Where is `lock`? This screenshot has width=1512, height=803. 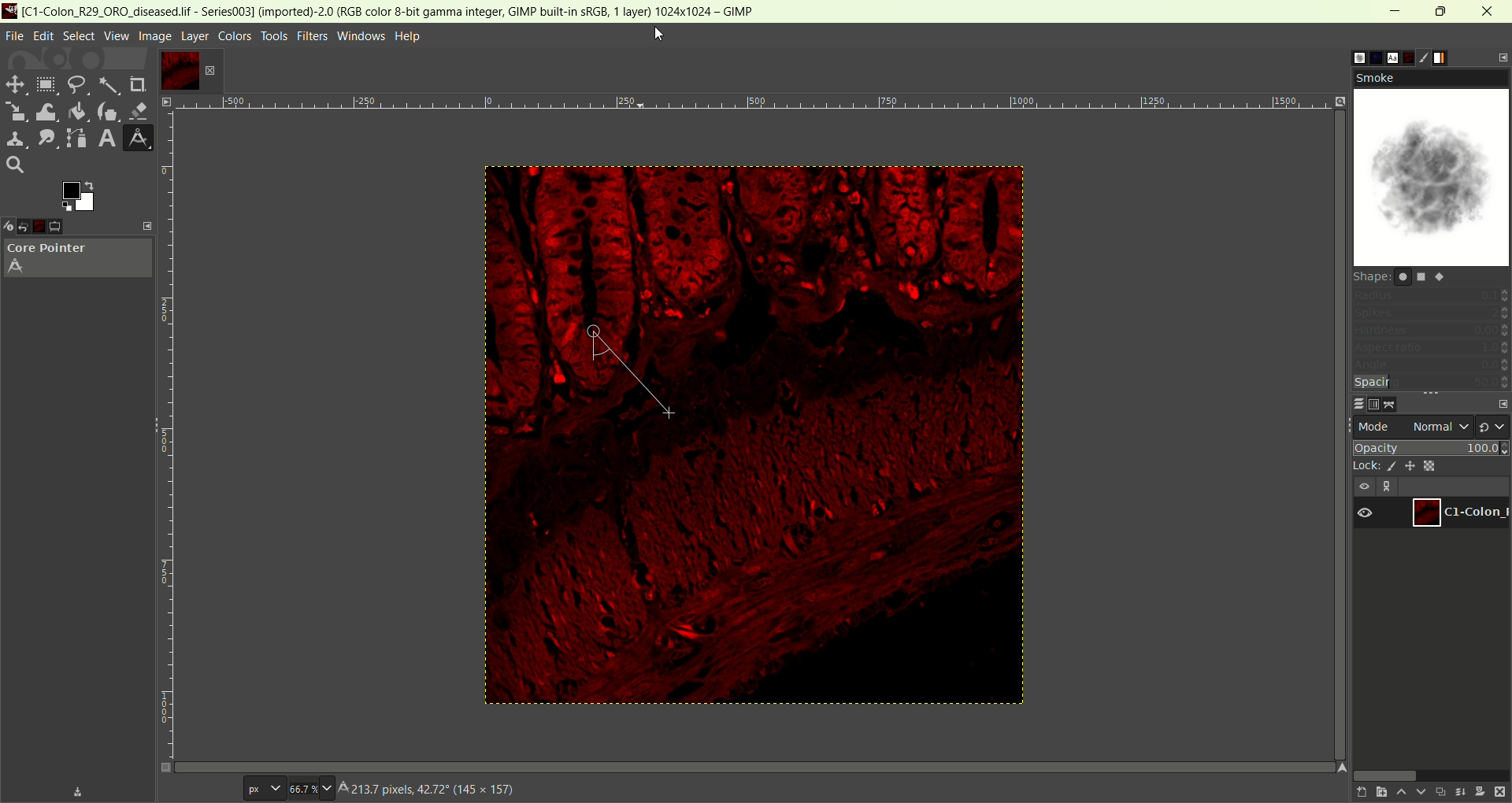 lock is located at coordinates (1363, 467).